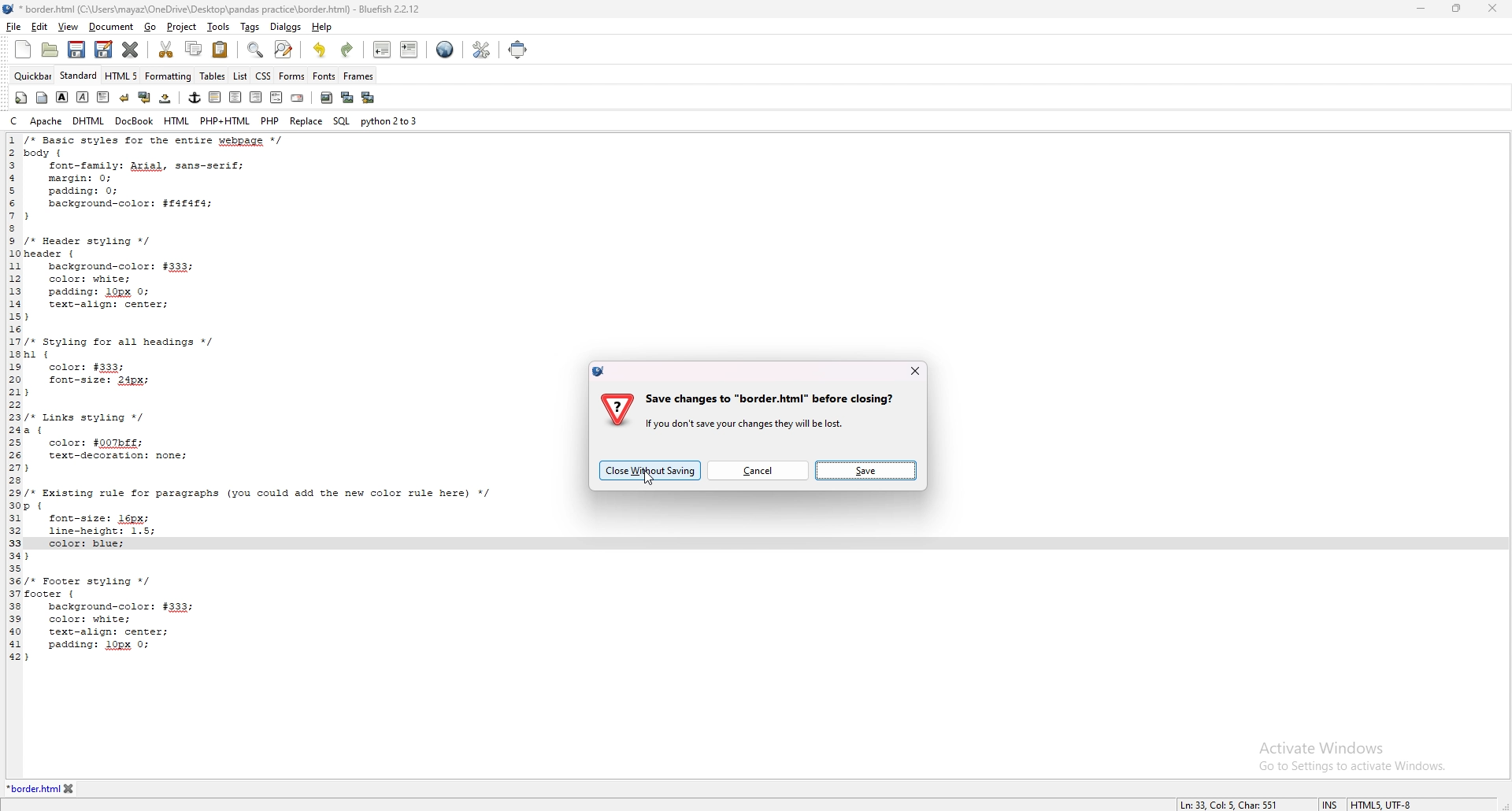 The height and width of the screenshot is (811, 1512). Describe the element at coordinates (32, 788) in the screenshot. I see `tab` at that location.